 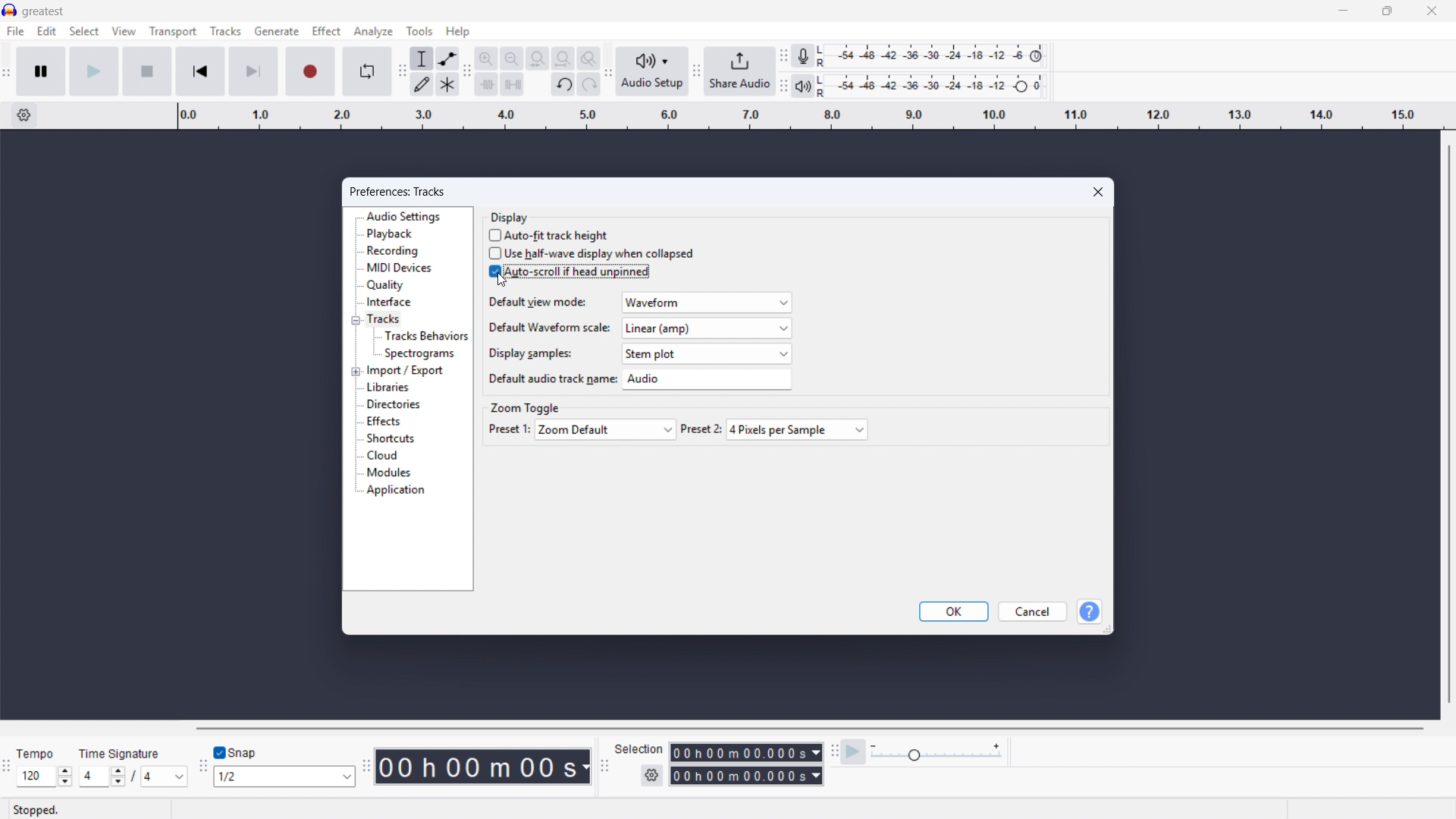 What do you see at coordinates (422, 58) in the screenshot?
I see `Selection tool ` at bounding box center [422, 58].